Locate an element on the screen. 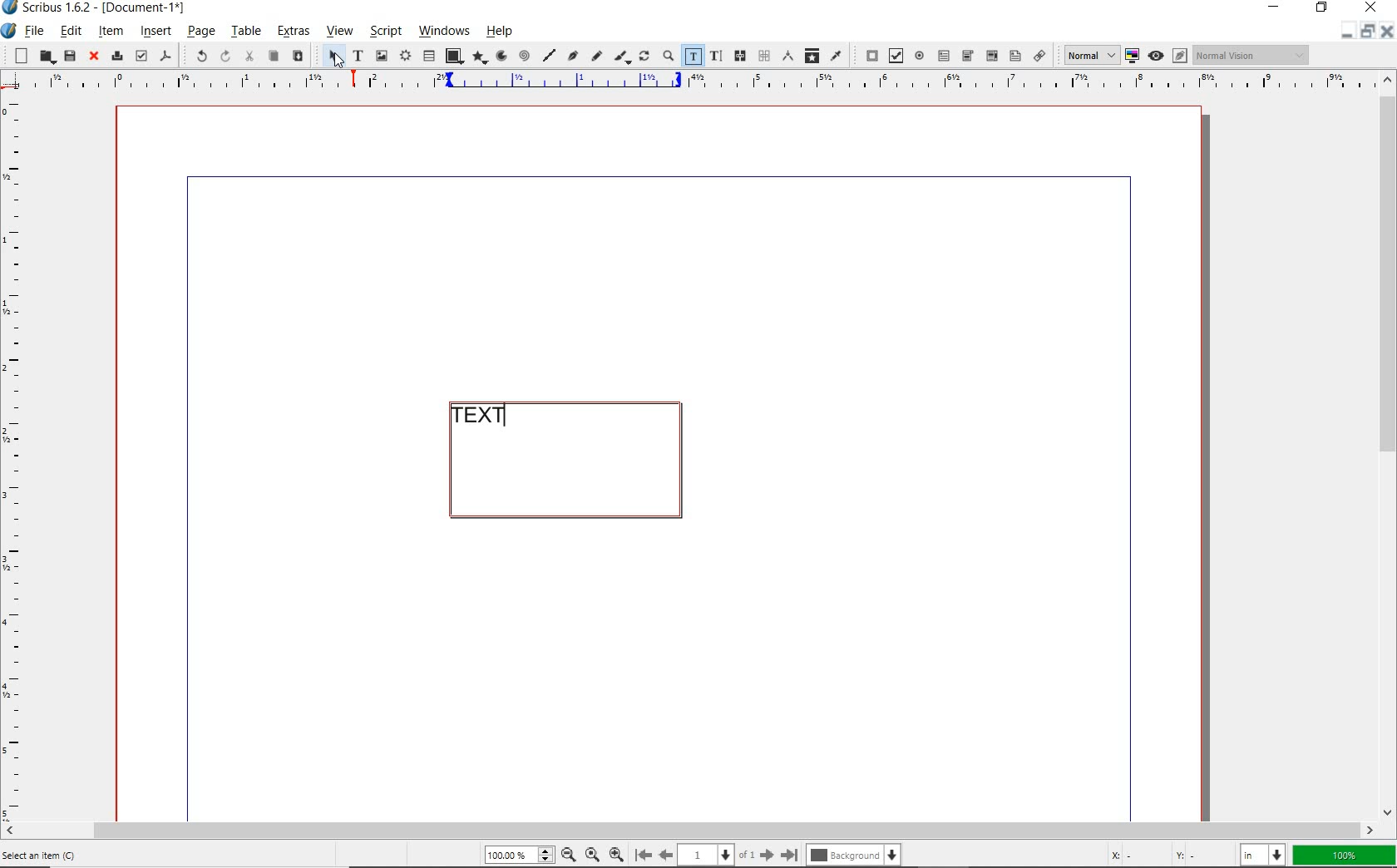 Image resolution: width=1397 pixels, height=868 pixels. Close is located at coordinates (1386, 32).